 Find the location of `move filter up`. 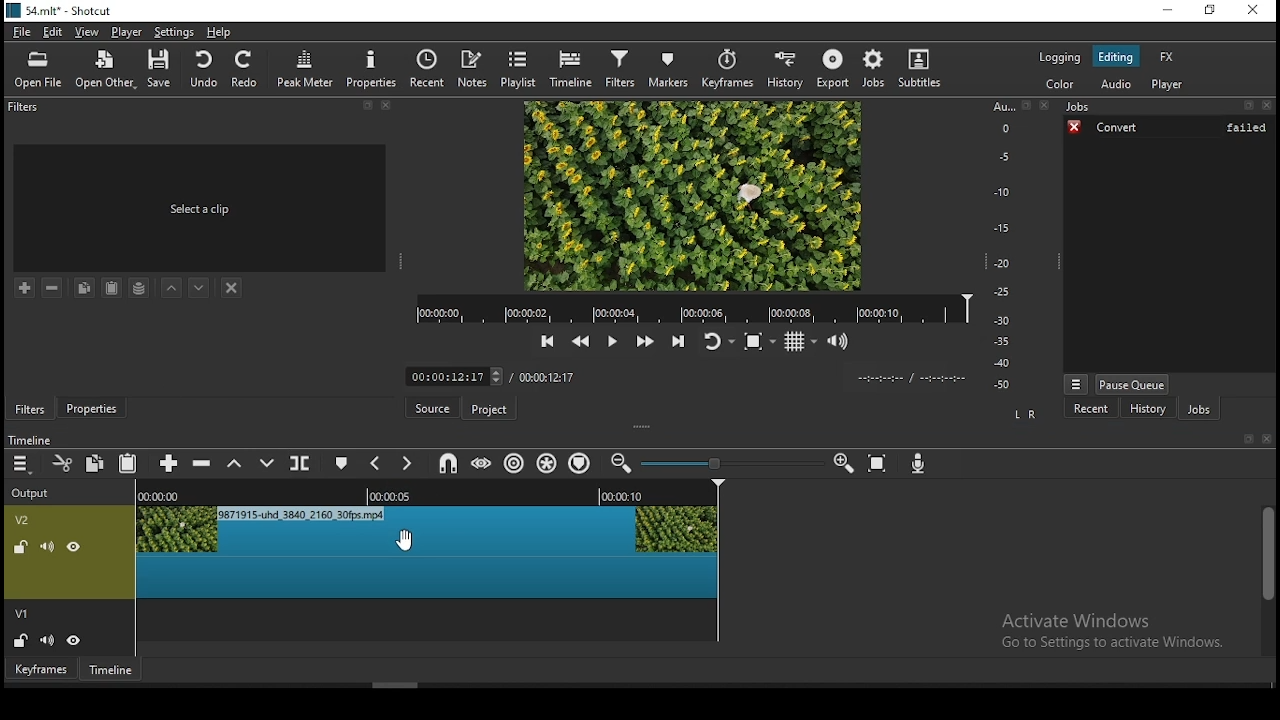

move filter up is located at coordinates (175, 285).